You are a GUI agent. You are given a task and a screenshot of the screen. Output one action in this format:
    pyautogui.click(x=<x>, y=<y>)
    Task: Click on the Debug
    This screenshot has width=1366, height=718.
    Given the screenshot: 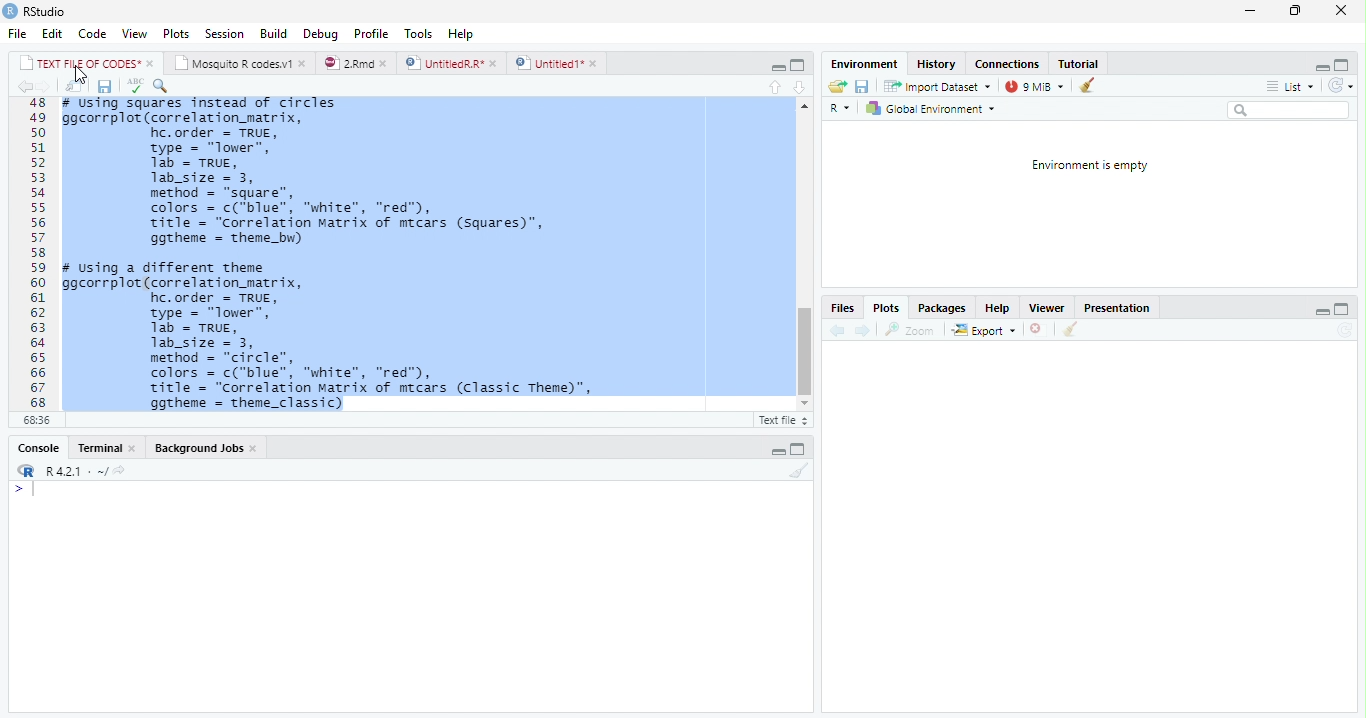 What is the action you would take?
    pyautogui.click(x=322, y=34)
    